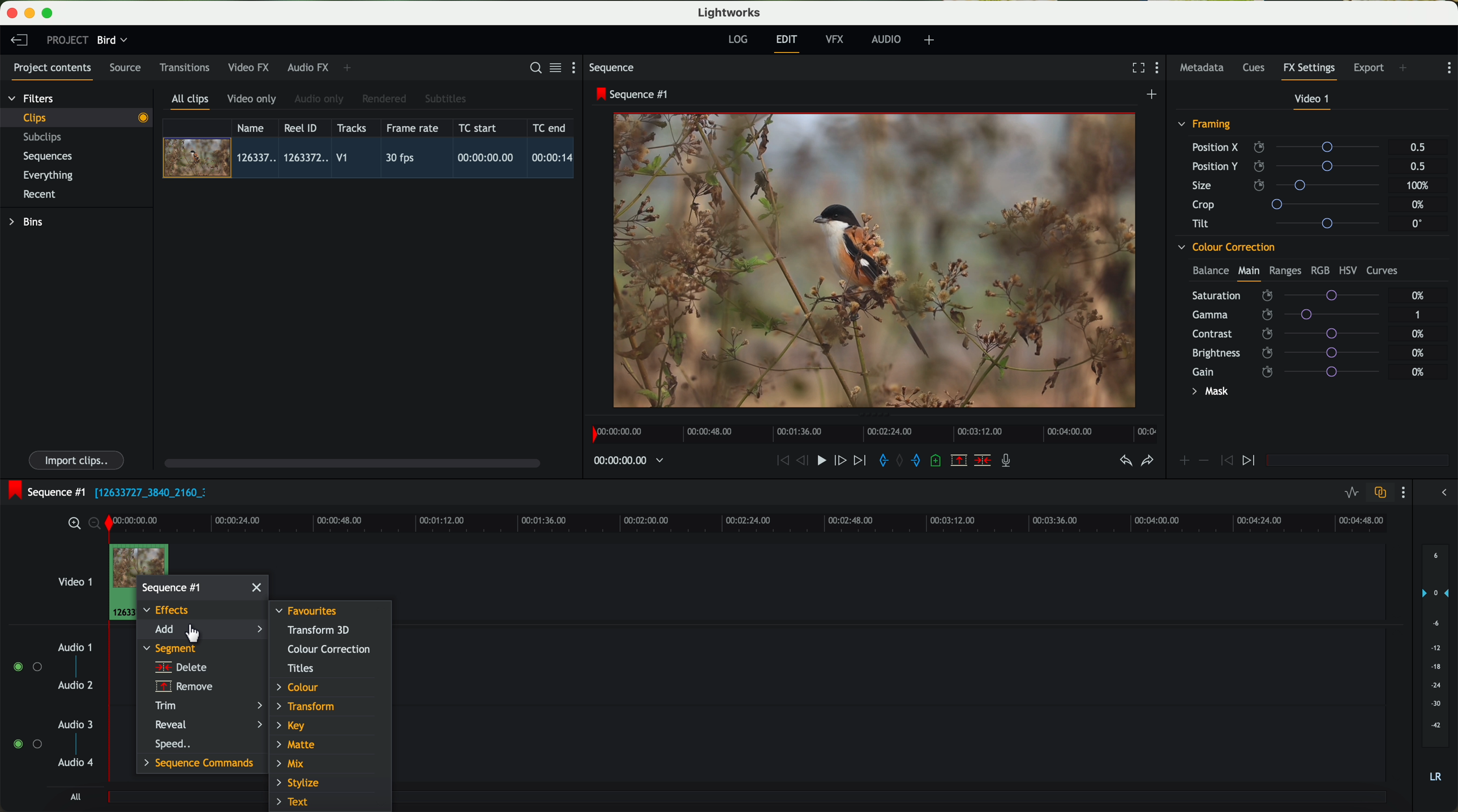 This screenshot has height=812, width=1458. Describe the element at coordinates (251, 100) in the screenshot. I see `video only` at that location.